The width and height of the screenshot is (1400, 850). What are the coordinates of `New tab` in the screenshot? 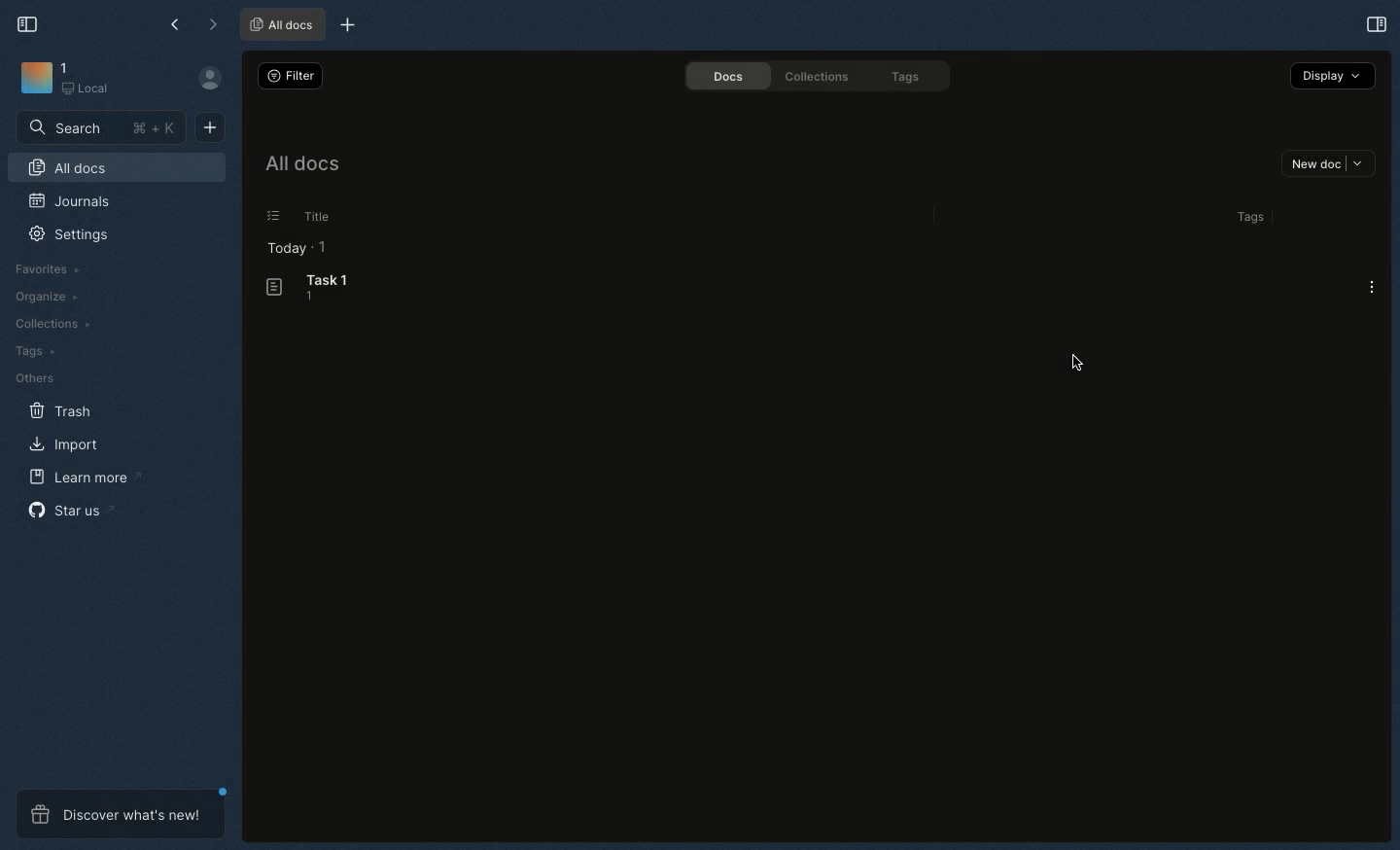 It's located at (348, 24).